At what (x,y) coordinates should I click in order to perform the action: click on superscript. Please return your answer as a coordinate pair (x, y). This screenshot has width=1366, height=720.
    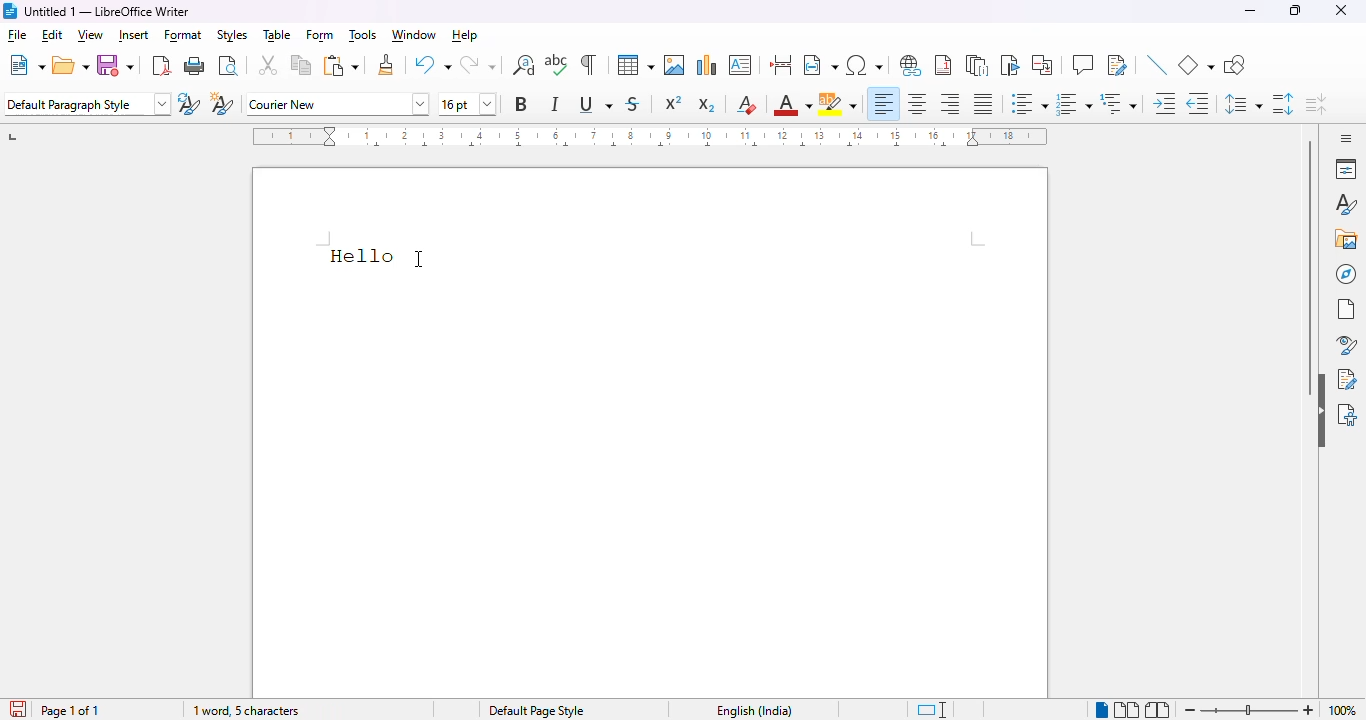
    Looking at the image, I should click on (674, 103).